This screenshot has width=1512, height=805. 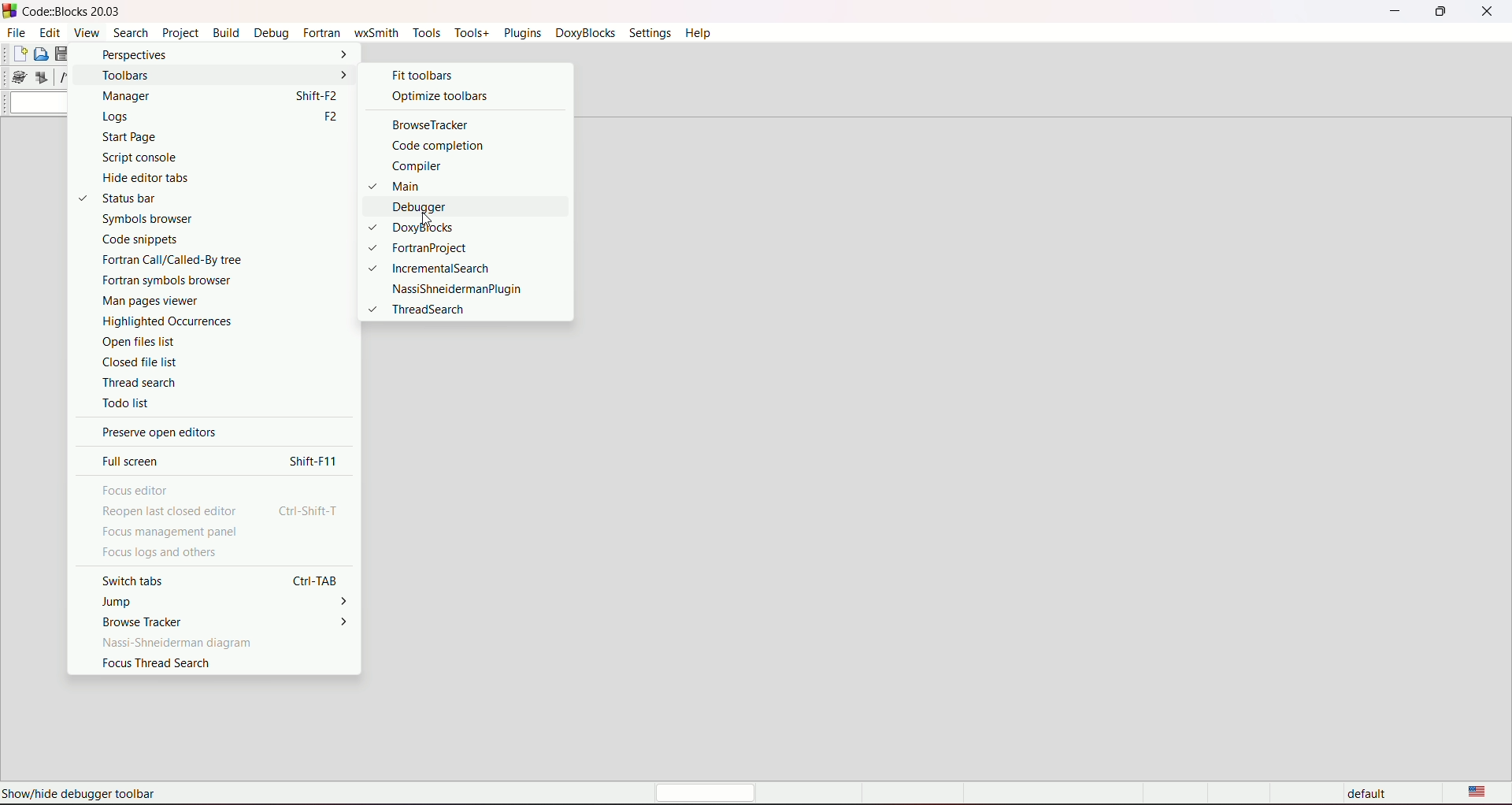 What do you see at coordinates (582, 33) in the screenshot?
I see `doxyblocks` at bounding box center [582, 33].